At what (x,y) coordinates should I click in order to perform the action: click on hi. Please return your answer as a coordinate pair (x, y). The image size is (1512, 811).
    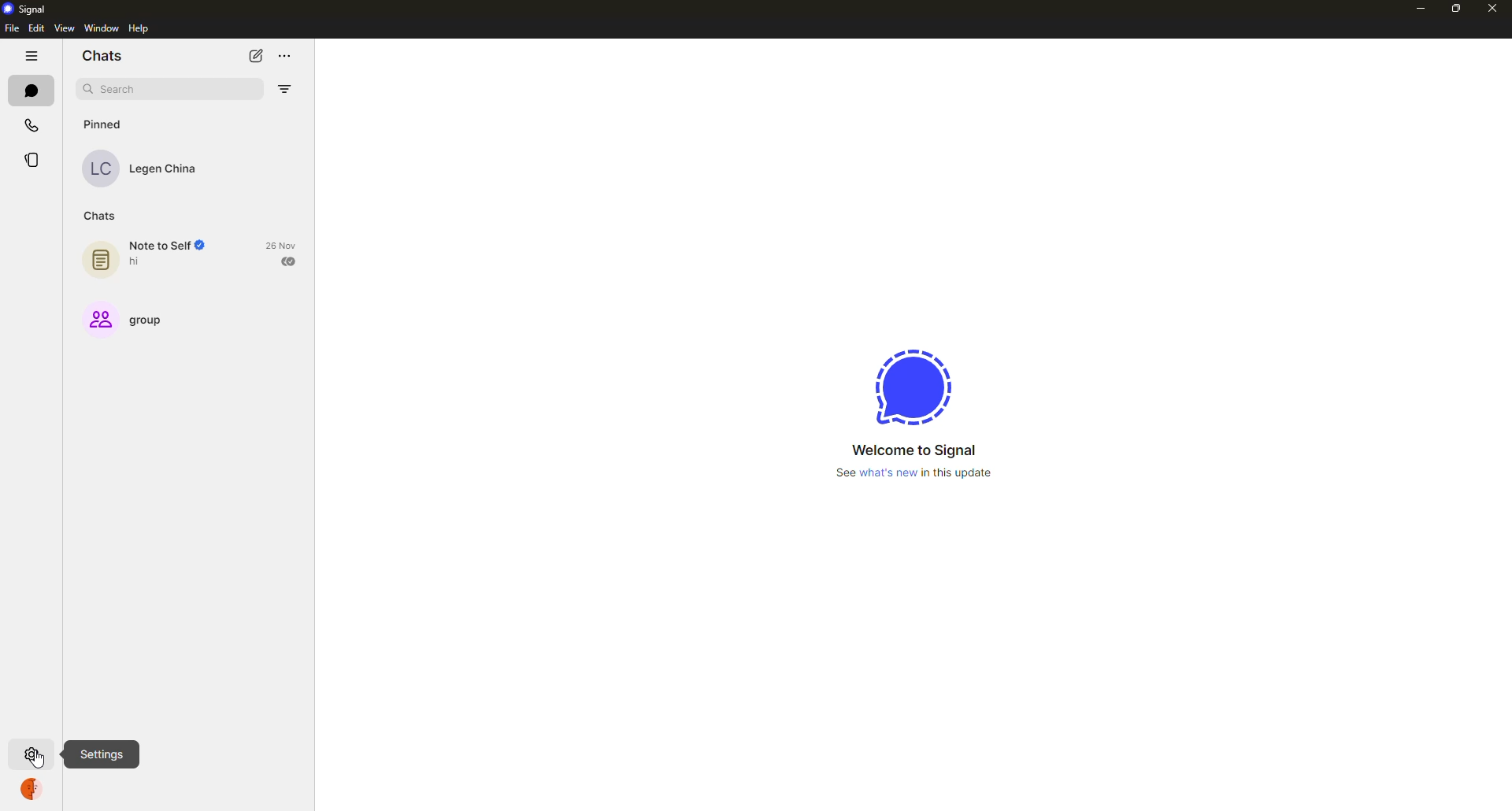
    Looking at the image, I should click on (143, 264).